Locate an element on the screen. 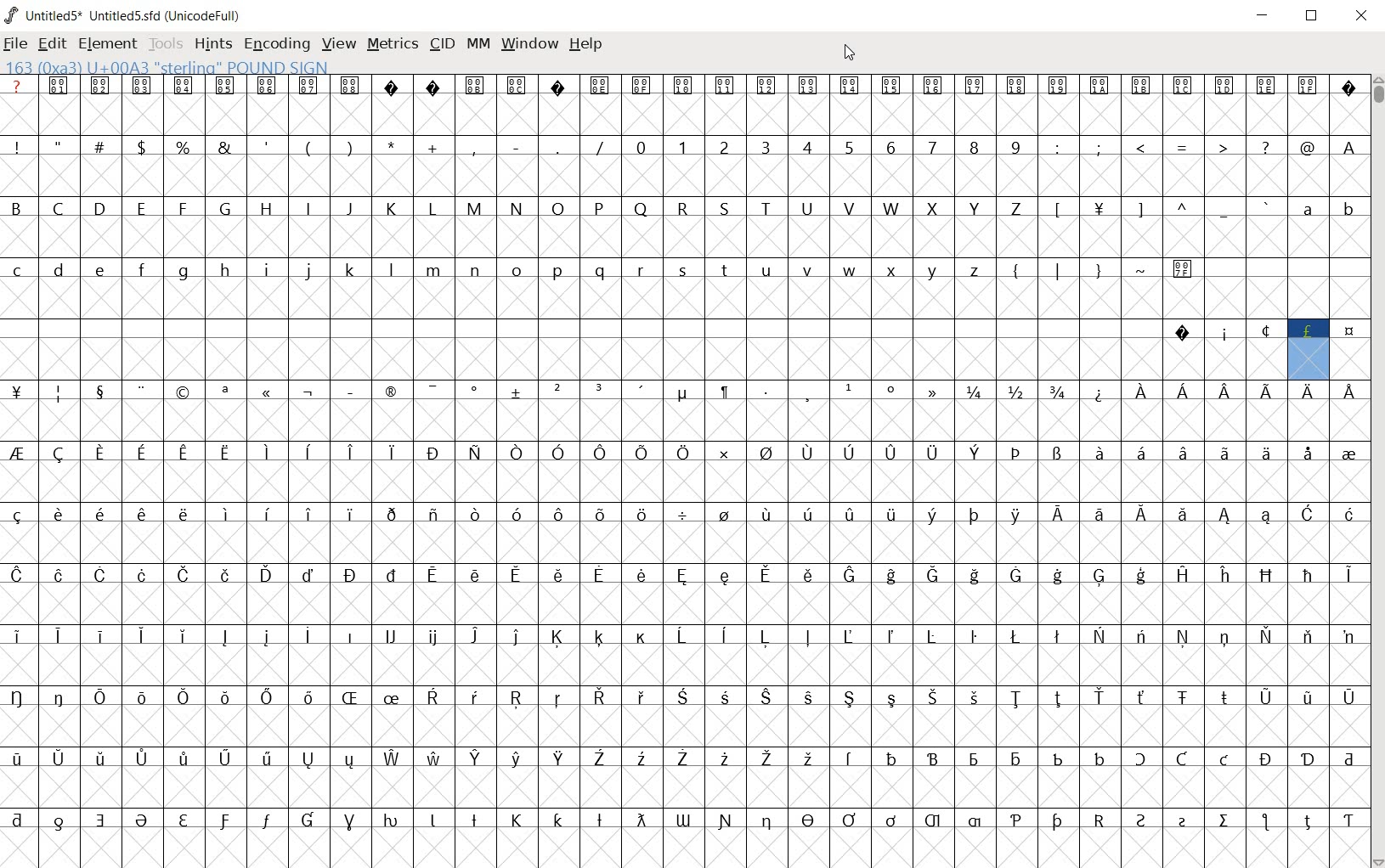 The image size is (1385, 868). glyph characters is located at coordinates (683, 472).